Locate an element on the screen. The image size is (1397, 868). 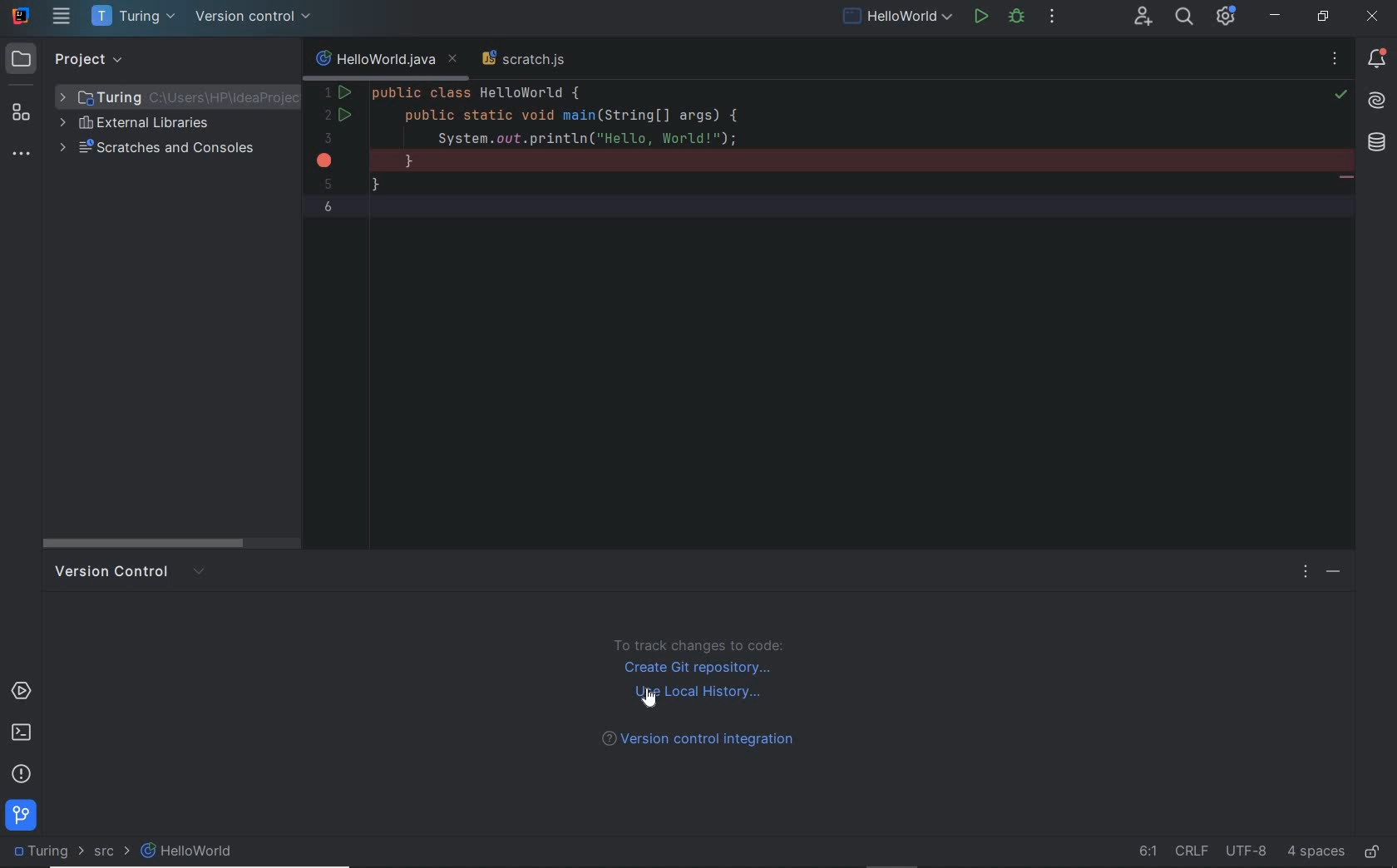
string is located at coordinates (1346, 180).